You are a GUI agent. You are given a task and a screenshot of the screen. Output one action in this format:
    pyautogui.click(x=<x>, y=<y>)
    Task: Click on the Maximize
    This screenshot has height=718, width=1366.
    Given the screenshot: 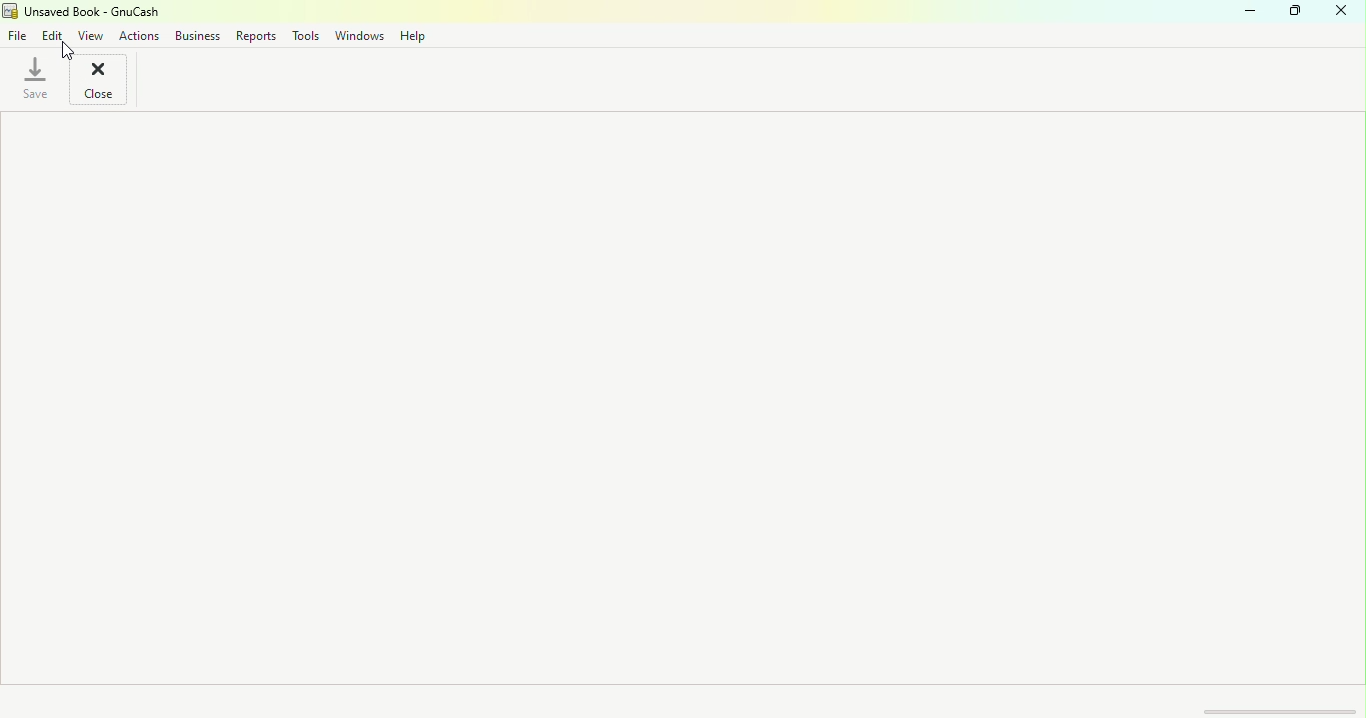 What is the action you would take?
    pyautogui.click(x=1301, y=13)
    